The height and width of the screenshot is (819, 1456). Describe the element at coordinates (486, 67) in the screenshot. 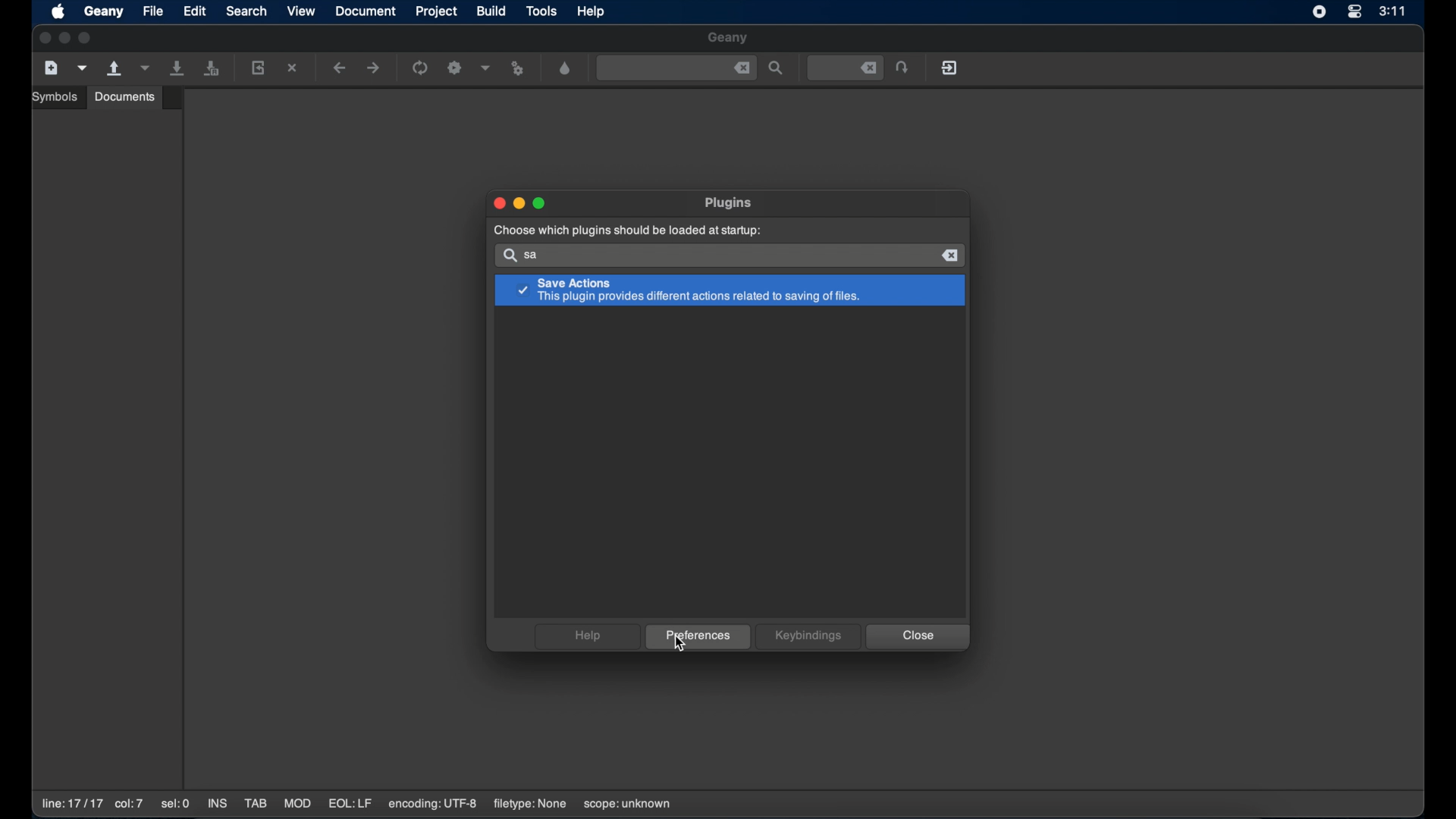

I see `choose more build options` at that location.